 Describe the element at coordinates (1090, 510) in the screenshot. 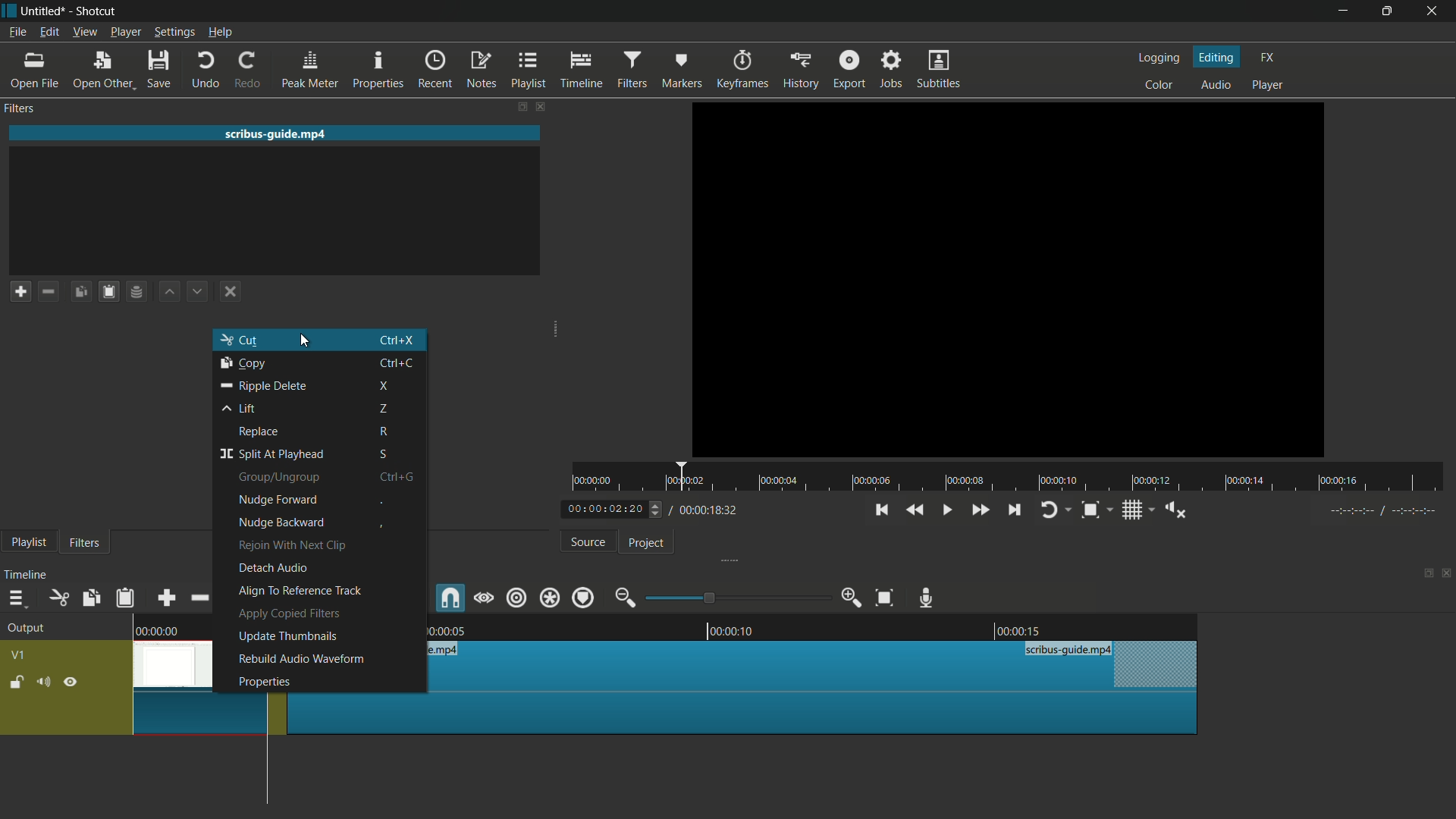

I see `toggle zoom` at that location.